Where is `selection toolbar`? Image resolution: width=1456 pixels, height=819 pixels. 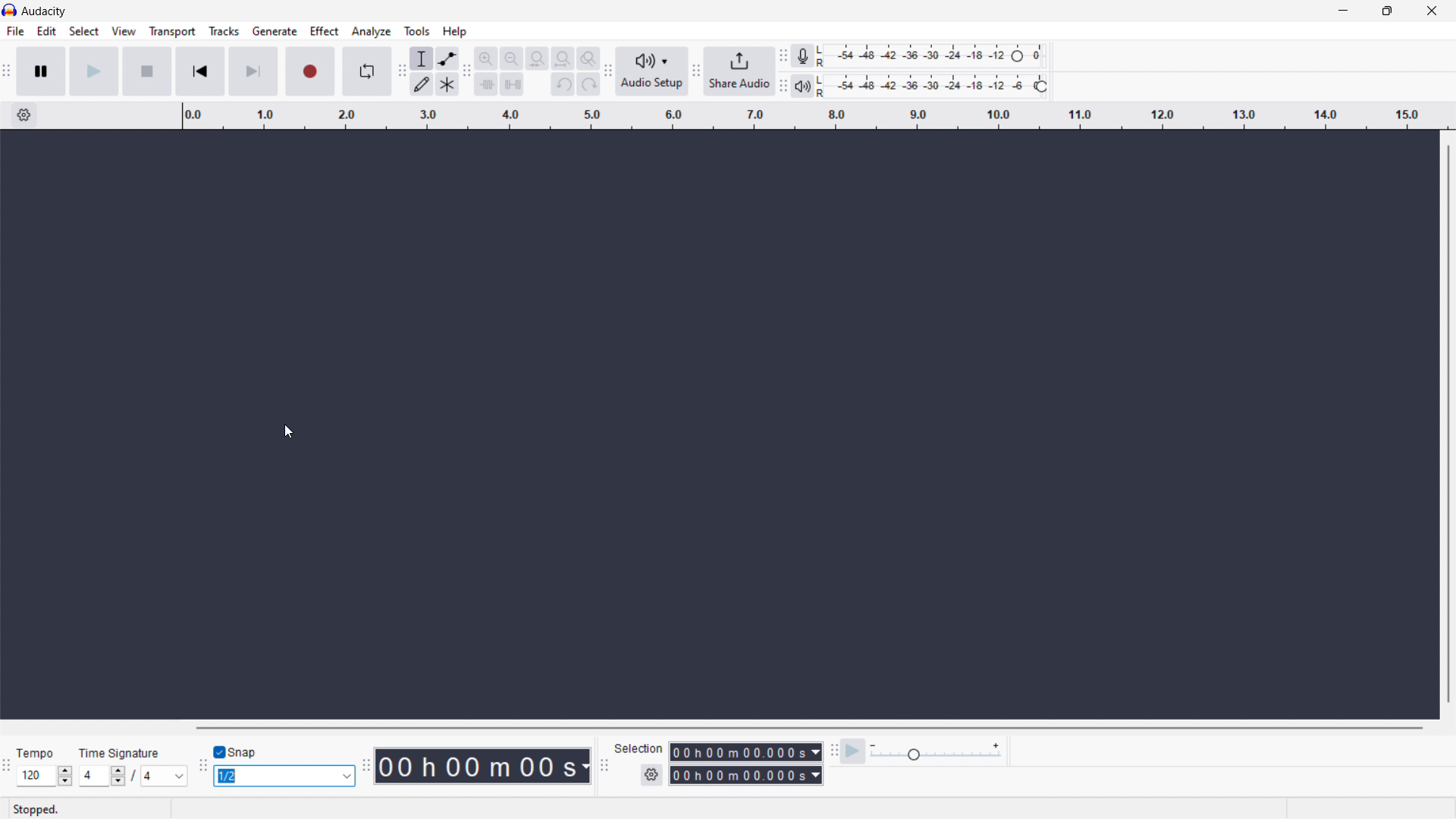 selection toolbar is located at coordinates (605, 766).